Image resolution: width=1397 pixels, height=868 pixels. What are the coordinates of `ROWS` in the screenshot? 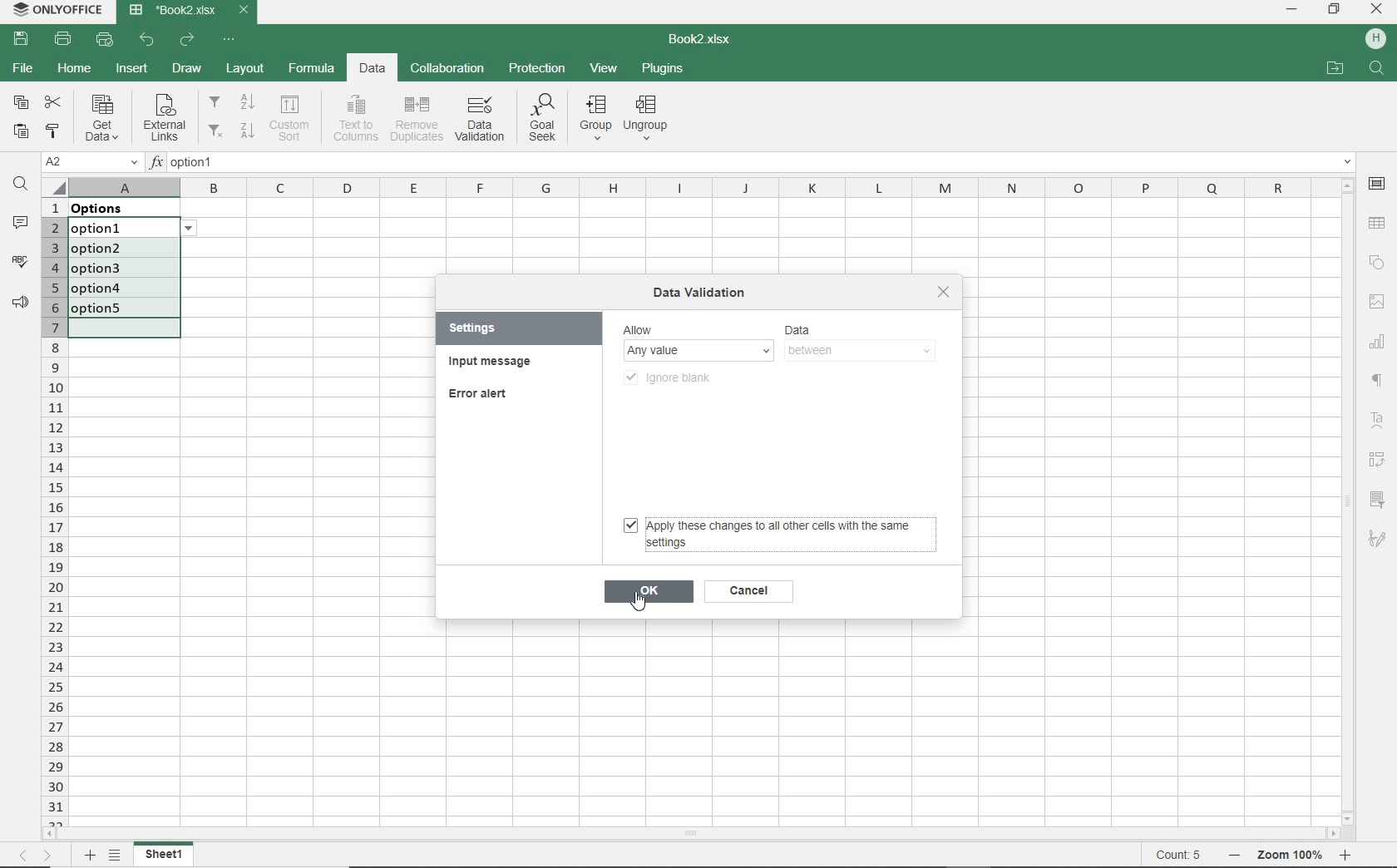 It's located at (53, 511).